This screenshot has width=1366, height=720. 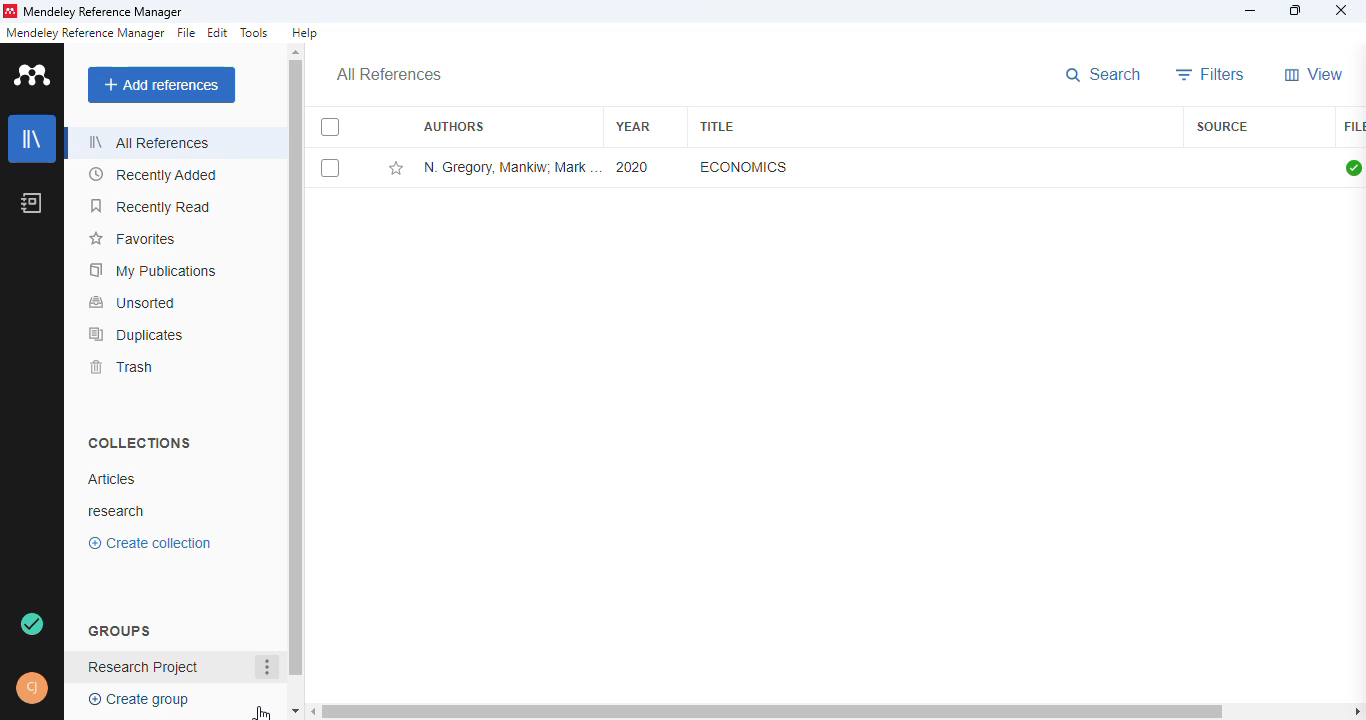 I want to click on mendeley reference manager, so click(x=103, y=12).